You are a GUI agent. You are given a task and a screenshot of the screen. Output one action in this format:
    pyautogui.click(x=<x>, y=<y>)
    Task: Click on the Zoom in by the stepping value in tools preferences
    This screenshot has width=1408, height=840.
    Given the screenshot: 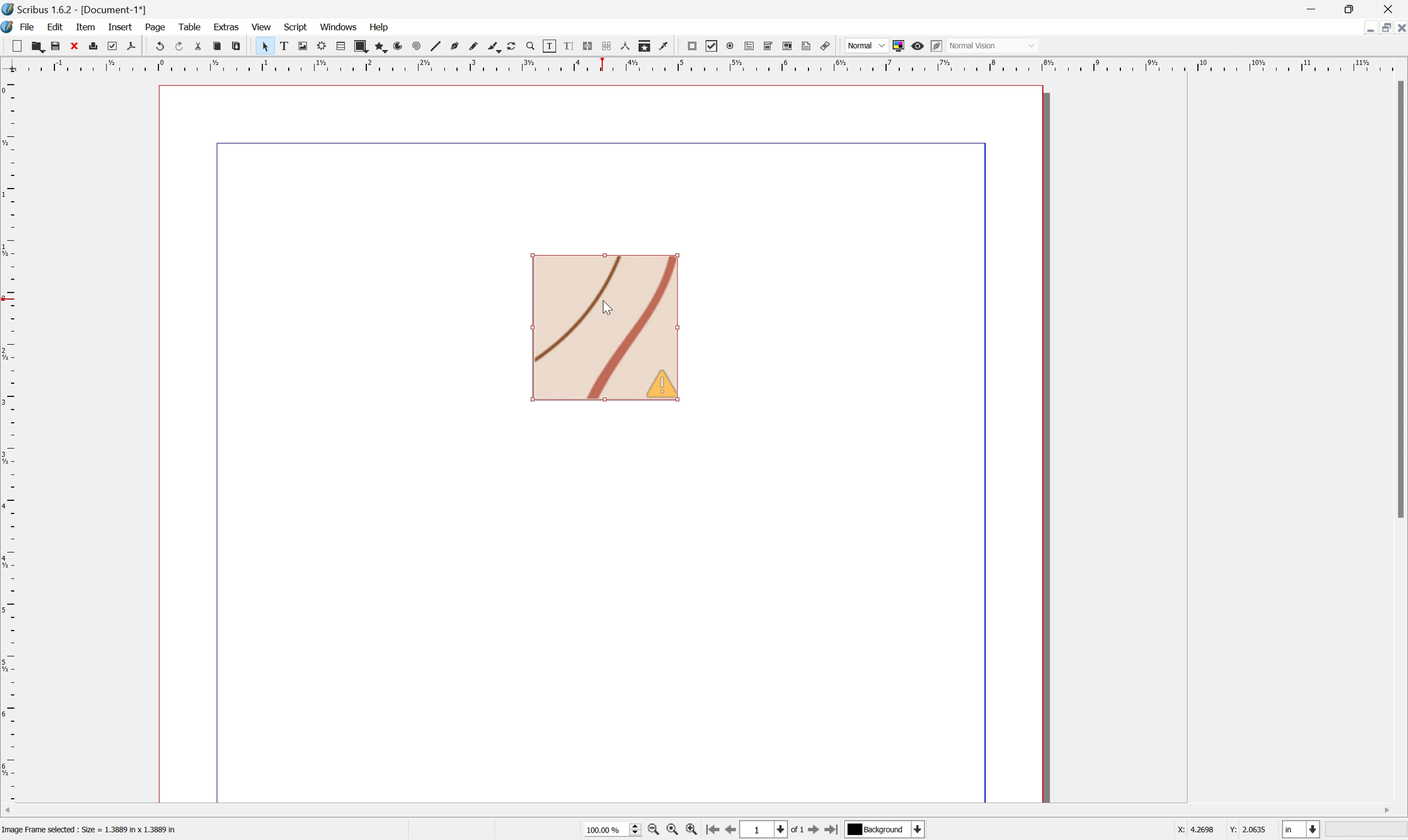 What is the action you would take?
    pyautogui.click(x=692, y=832)
    